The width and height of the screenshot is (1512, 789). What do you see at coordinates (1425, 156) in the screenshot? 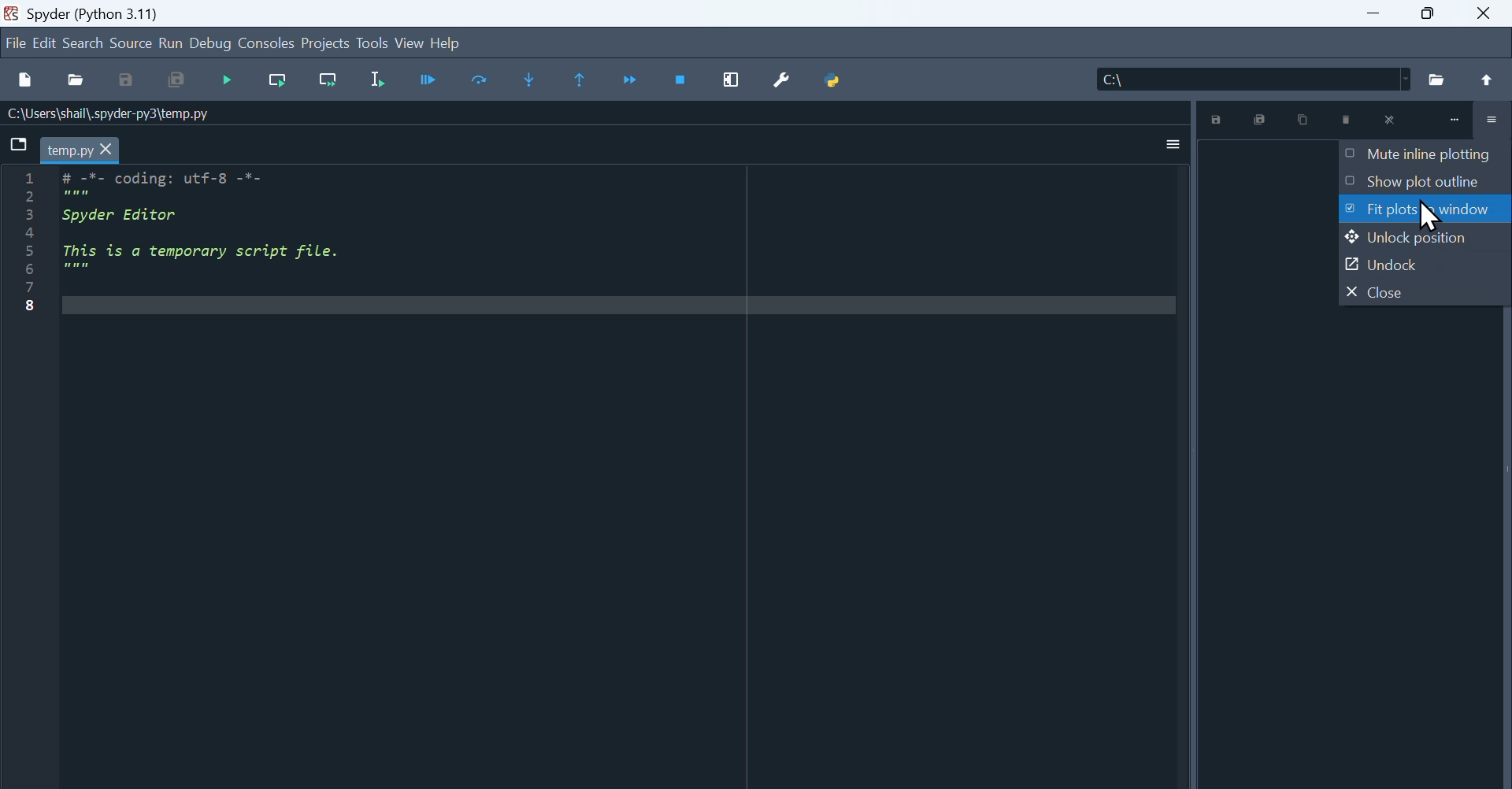
I see `Mute in line plotting` at bounding box center [1425, 156].